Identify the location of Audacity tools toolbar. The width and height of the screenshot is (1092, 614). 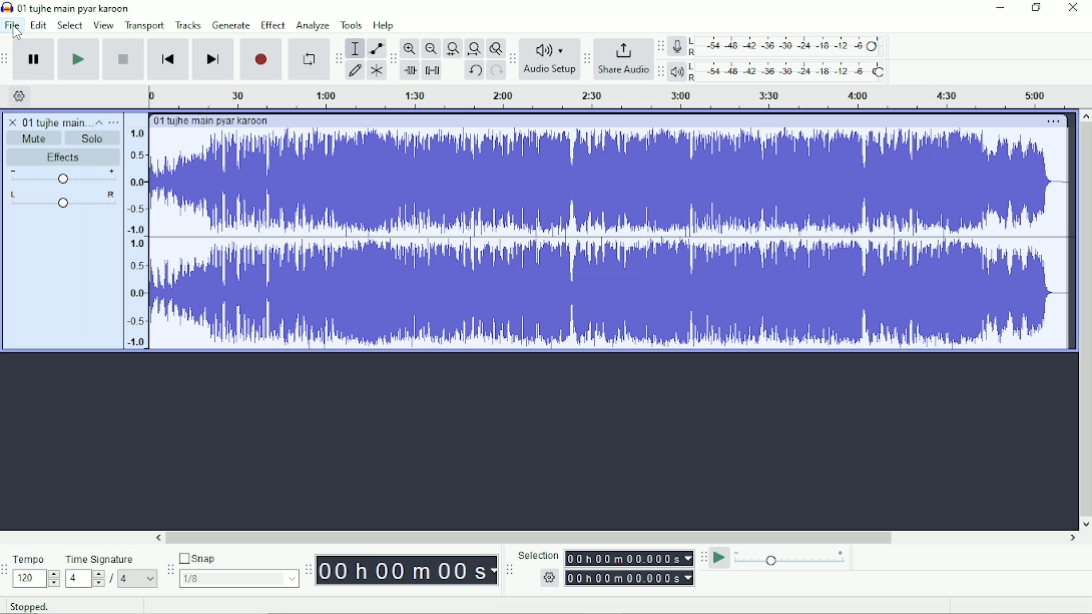
(340, 57).